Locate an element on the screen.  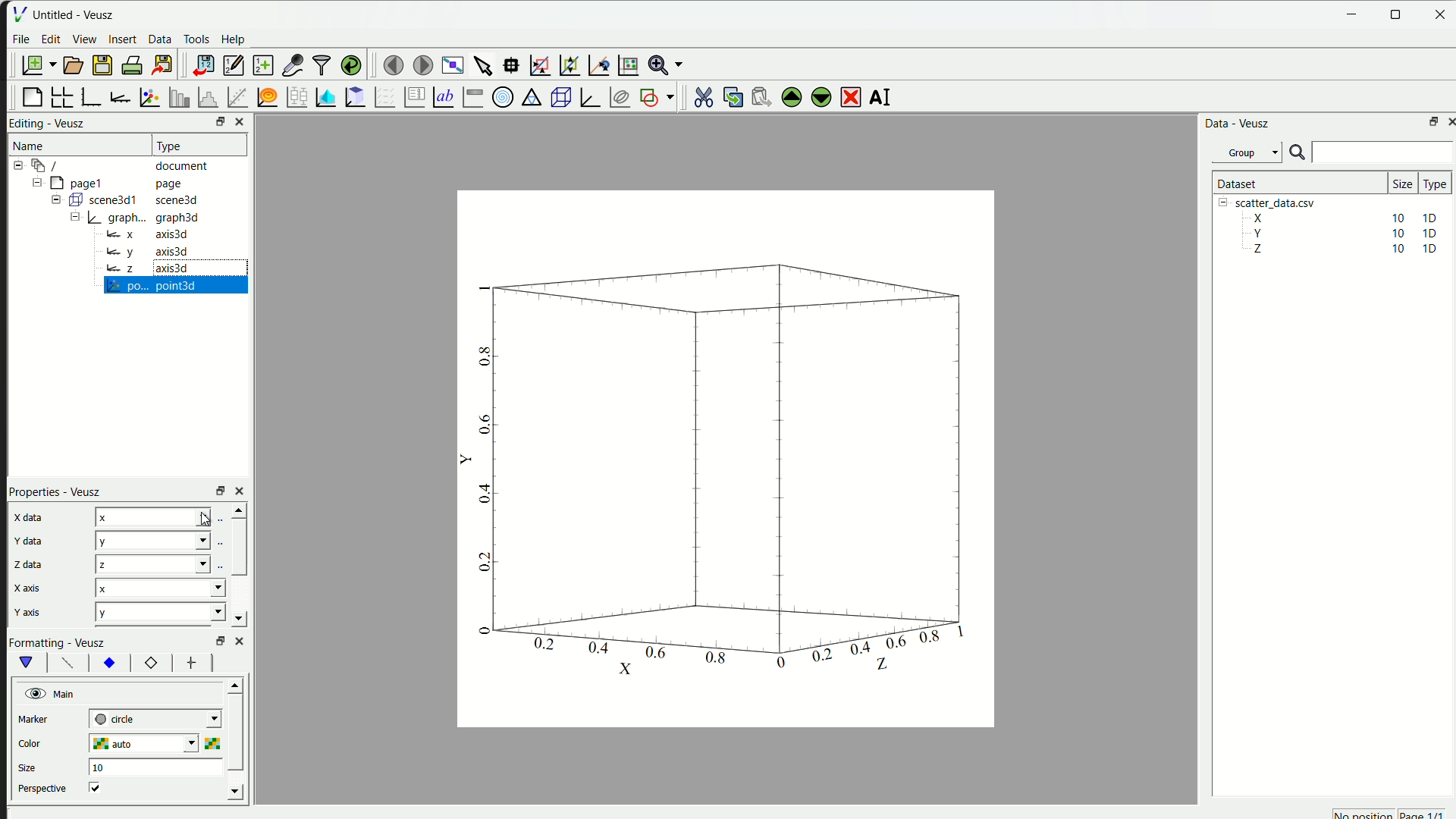
= x axis3d is located at coordinates (155, 234).